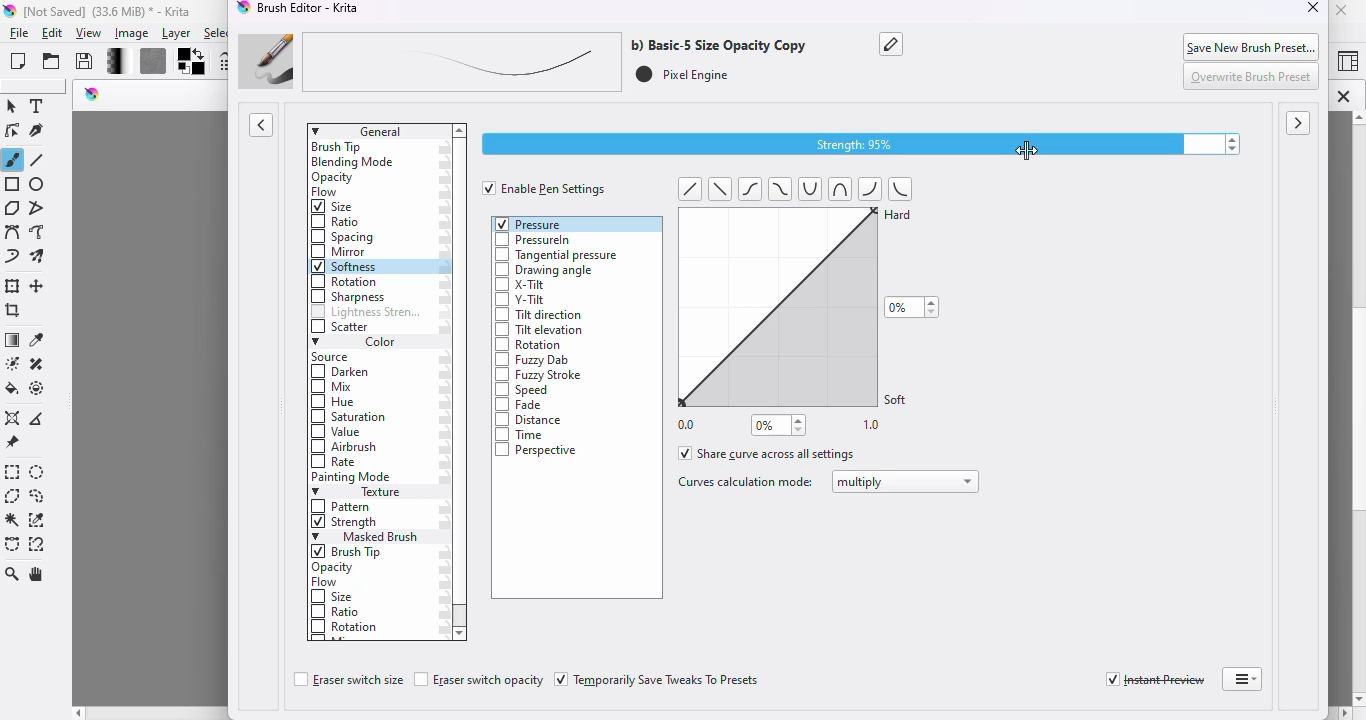 This screenshot has width=1366, height=720. I want to click on close tab, so click(1343, 96).